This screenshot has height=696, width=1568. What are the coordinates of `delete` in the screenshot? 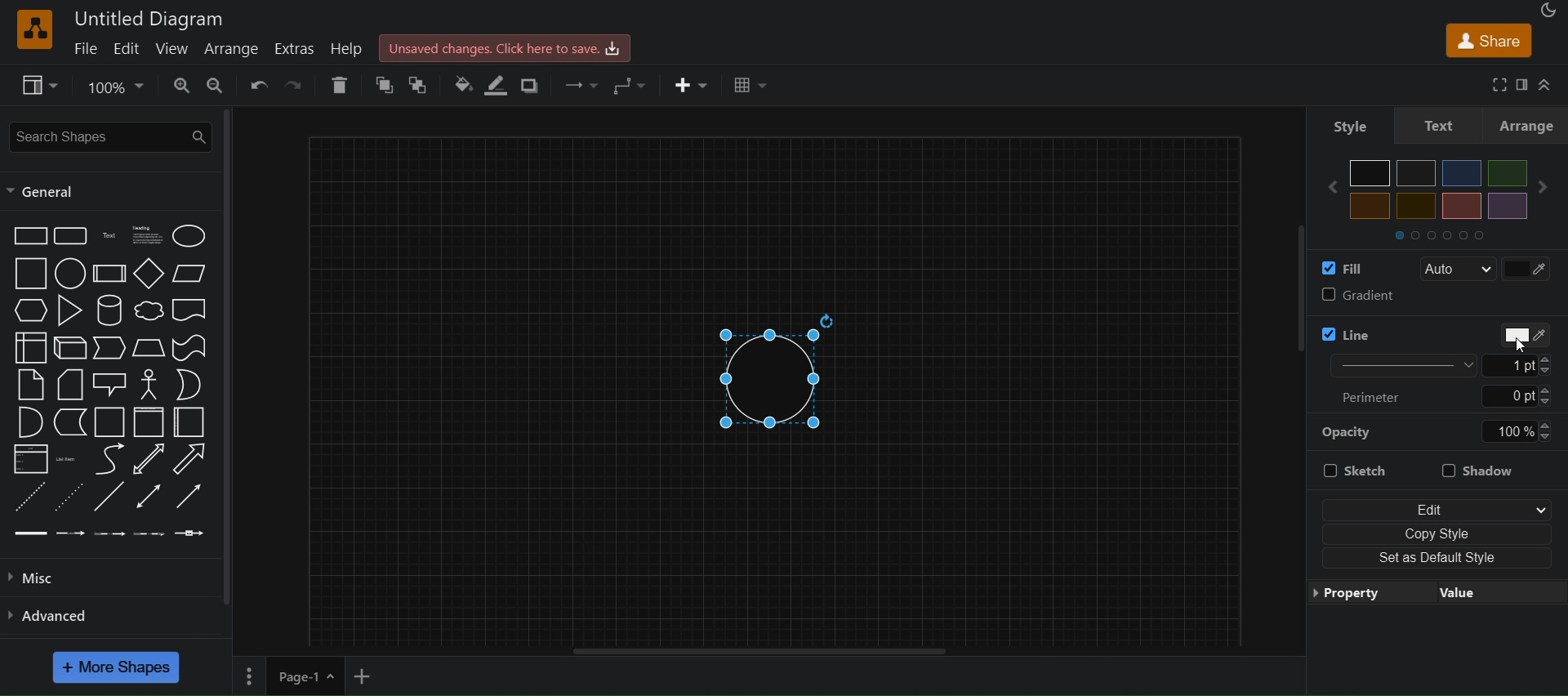 It's located at (340, 85).